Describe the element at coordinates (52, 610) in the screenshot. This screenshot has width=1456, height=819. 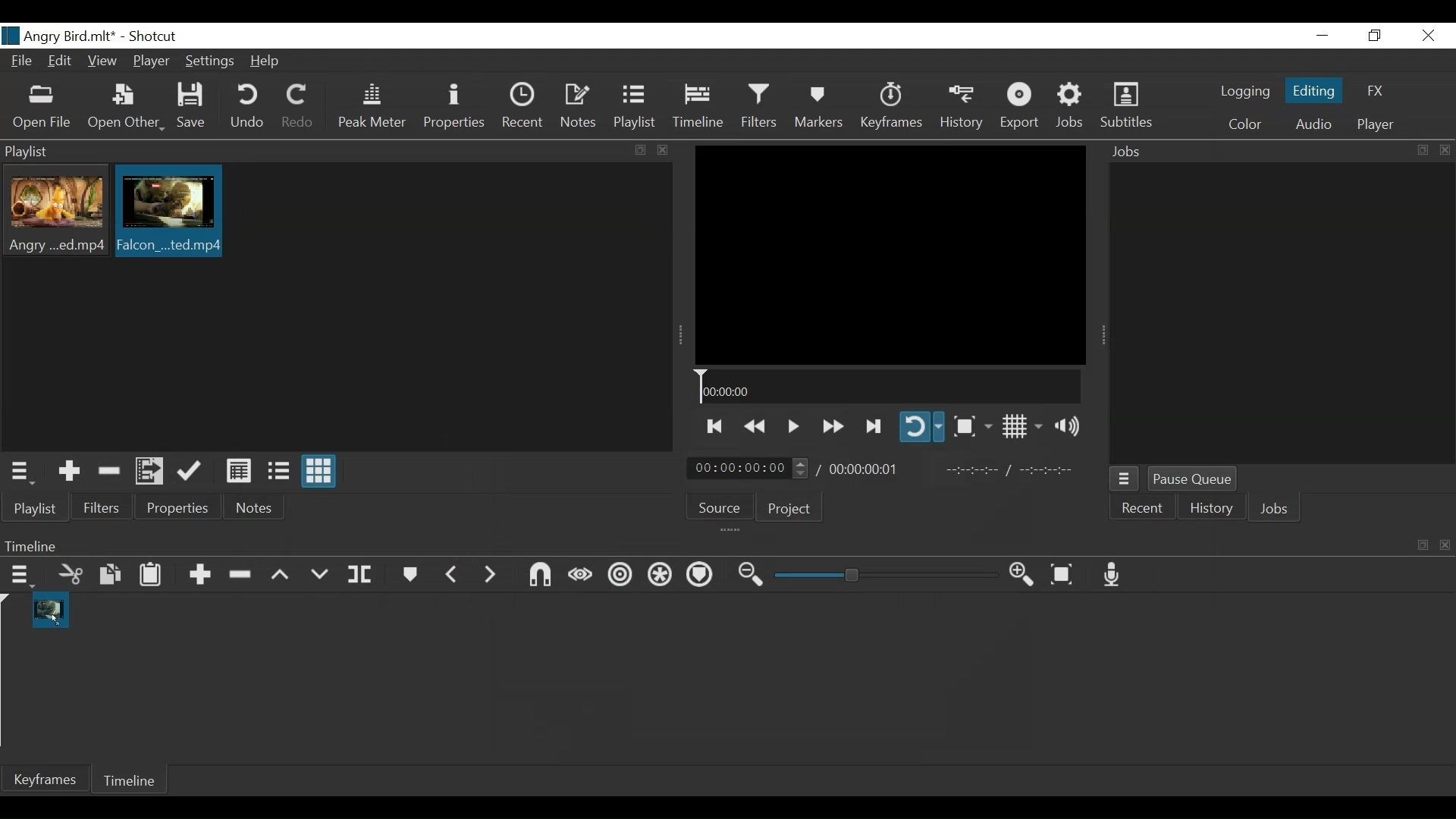
I see `Clip` at that location.